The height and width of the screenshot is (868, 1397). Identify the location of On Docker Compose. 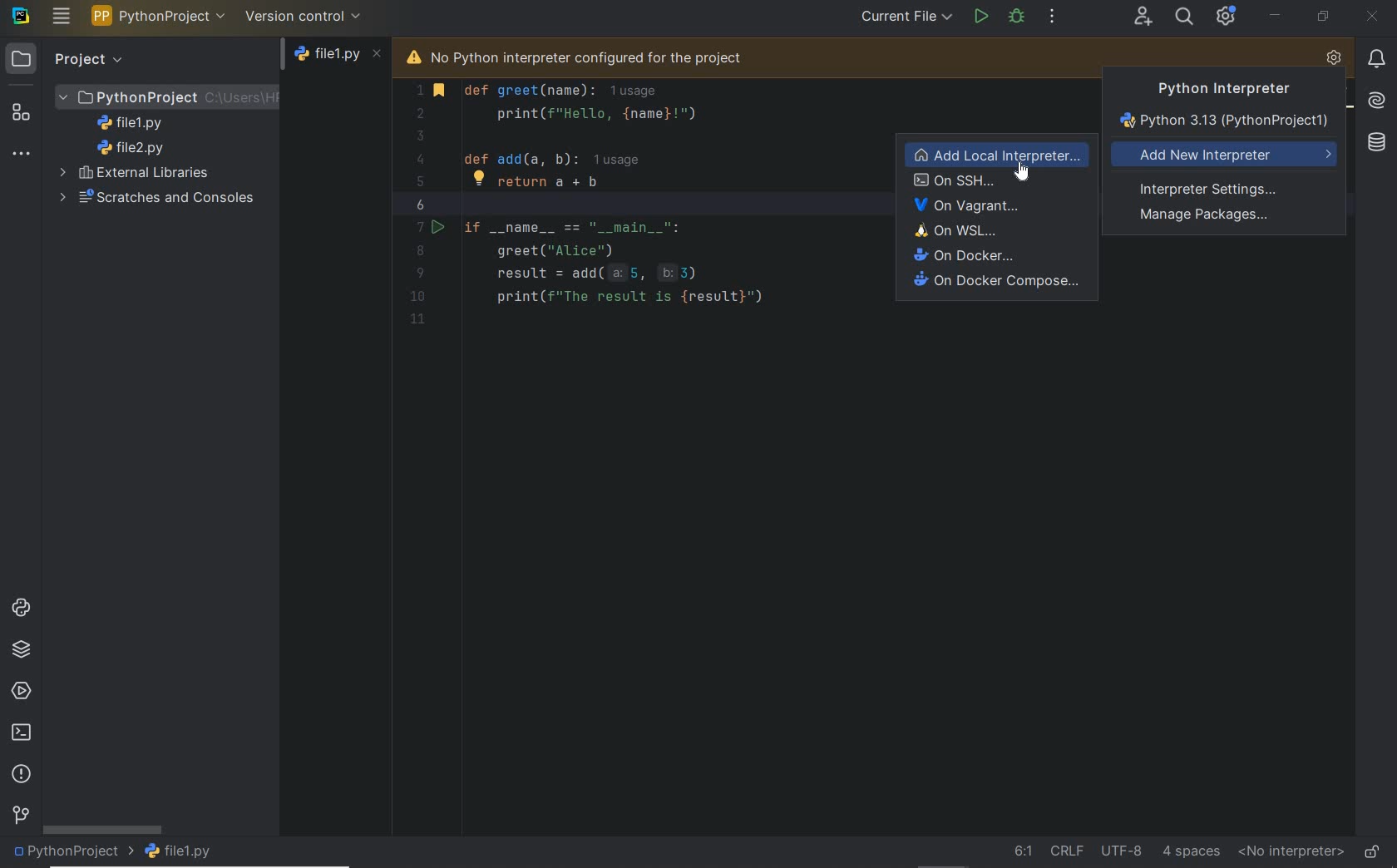
(995, 282).